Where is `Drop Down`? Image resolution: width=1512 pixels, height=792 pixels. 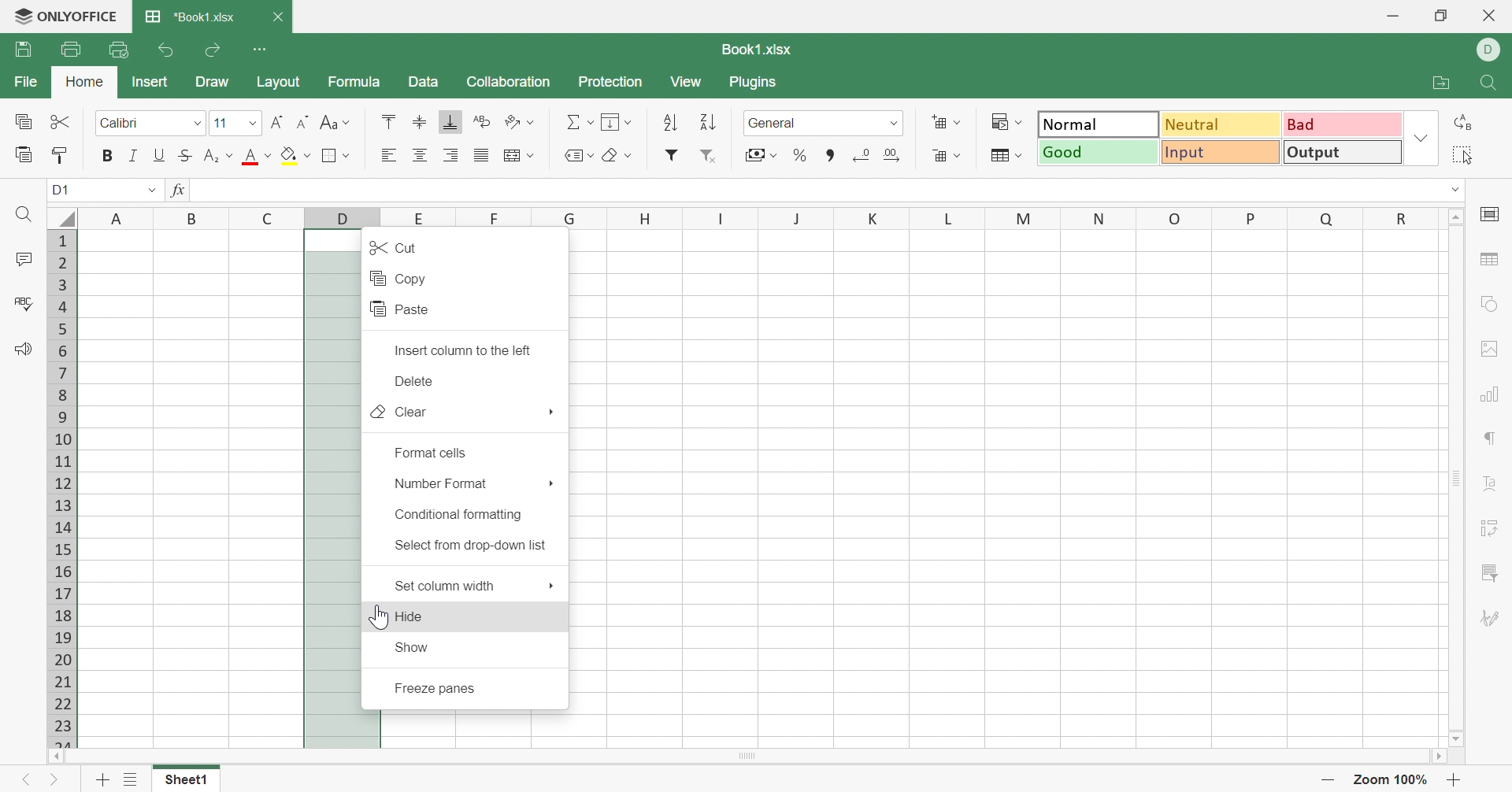 Drop Down is located at coordinates (896, 123).